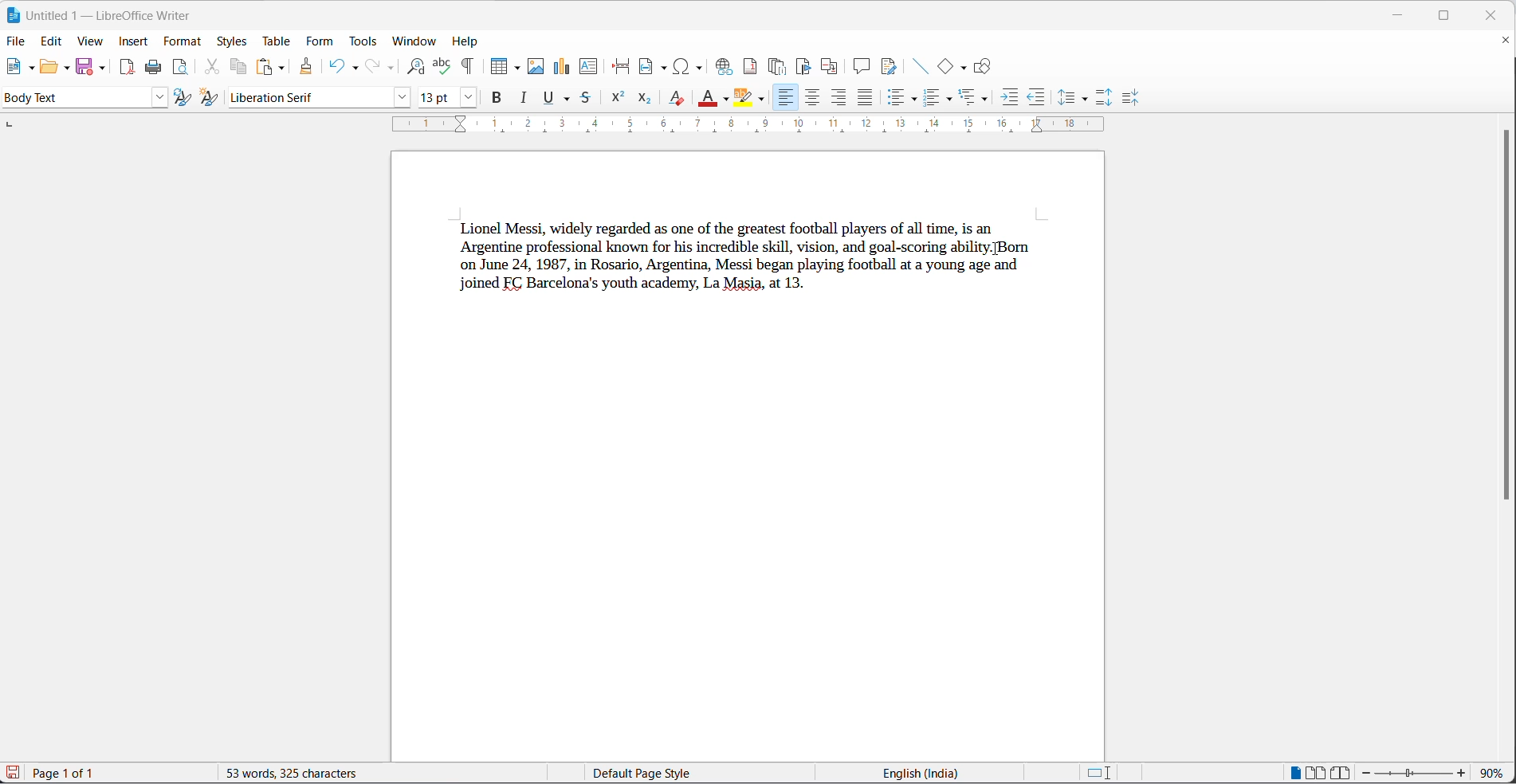 This screenshot has height=784, width=1516. Describe the element at coordinates (765, 127) in the screenshot. I see `scaling` at that location.